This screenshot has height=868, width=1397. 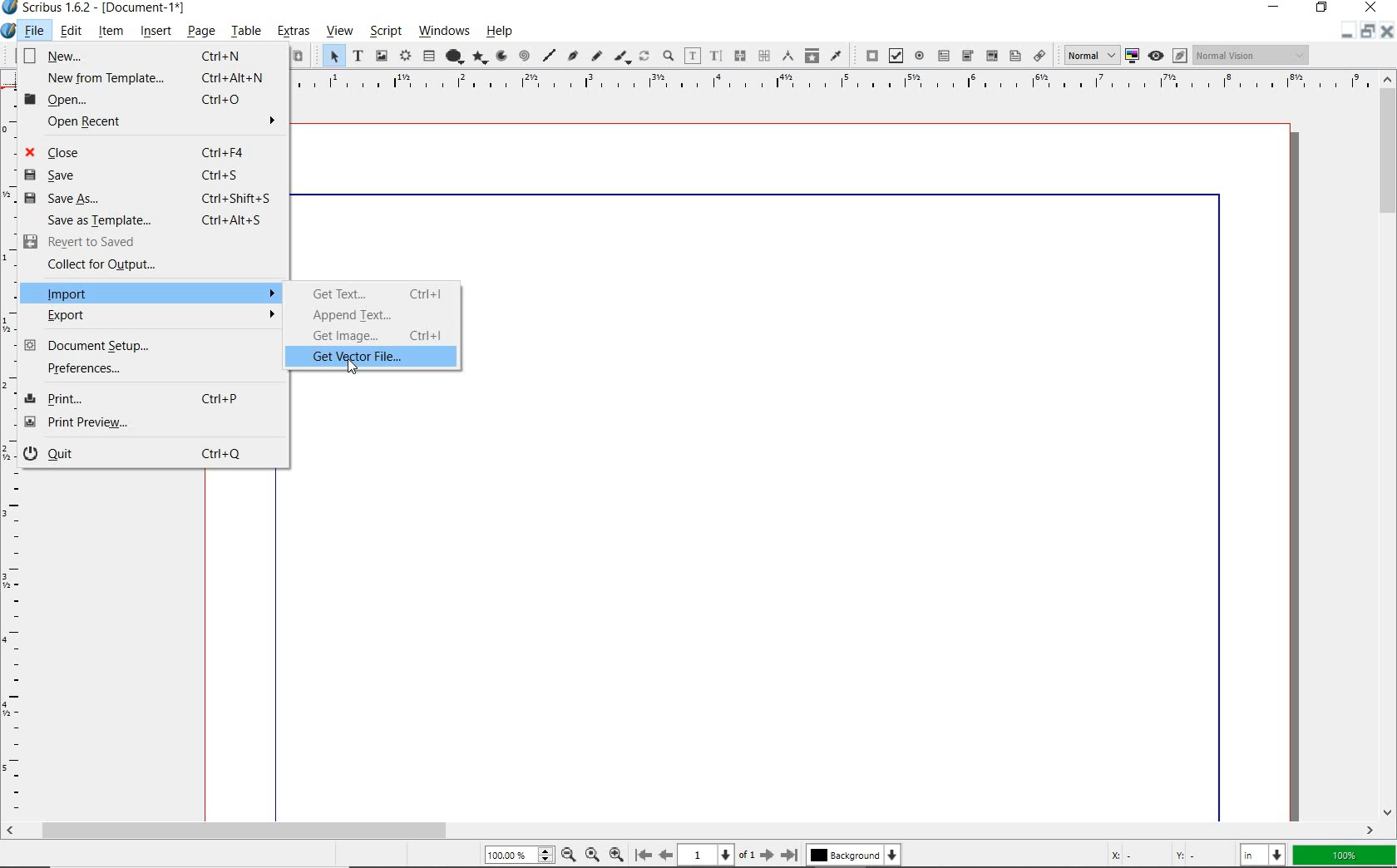 I want to click on insert, so click(x=155, y=32).